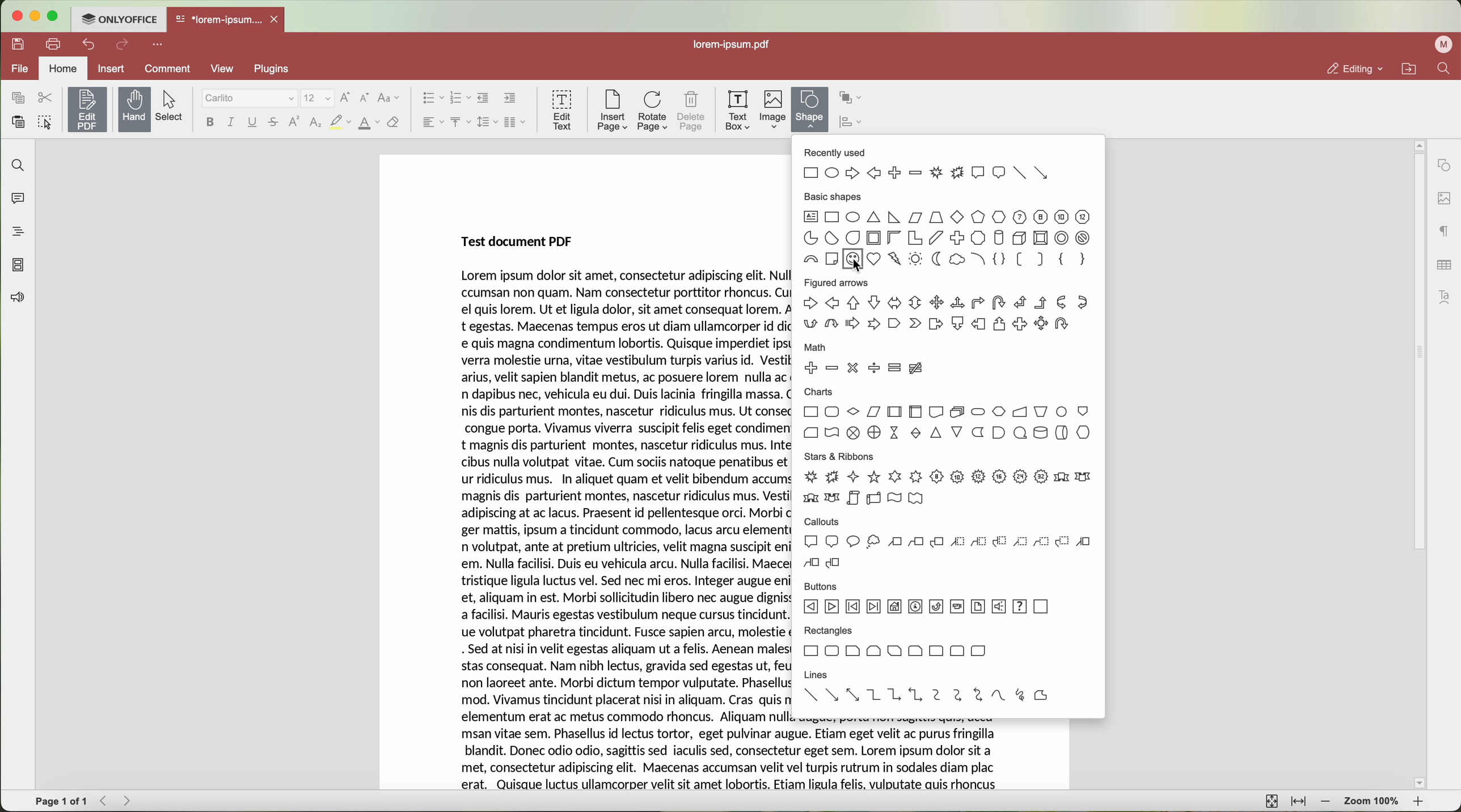  What do you see at coordinates (174, 106) in the screenshot?
I see `select` at bounding box center [174, 106].